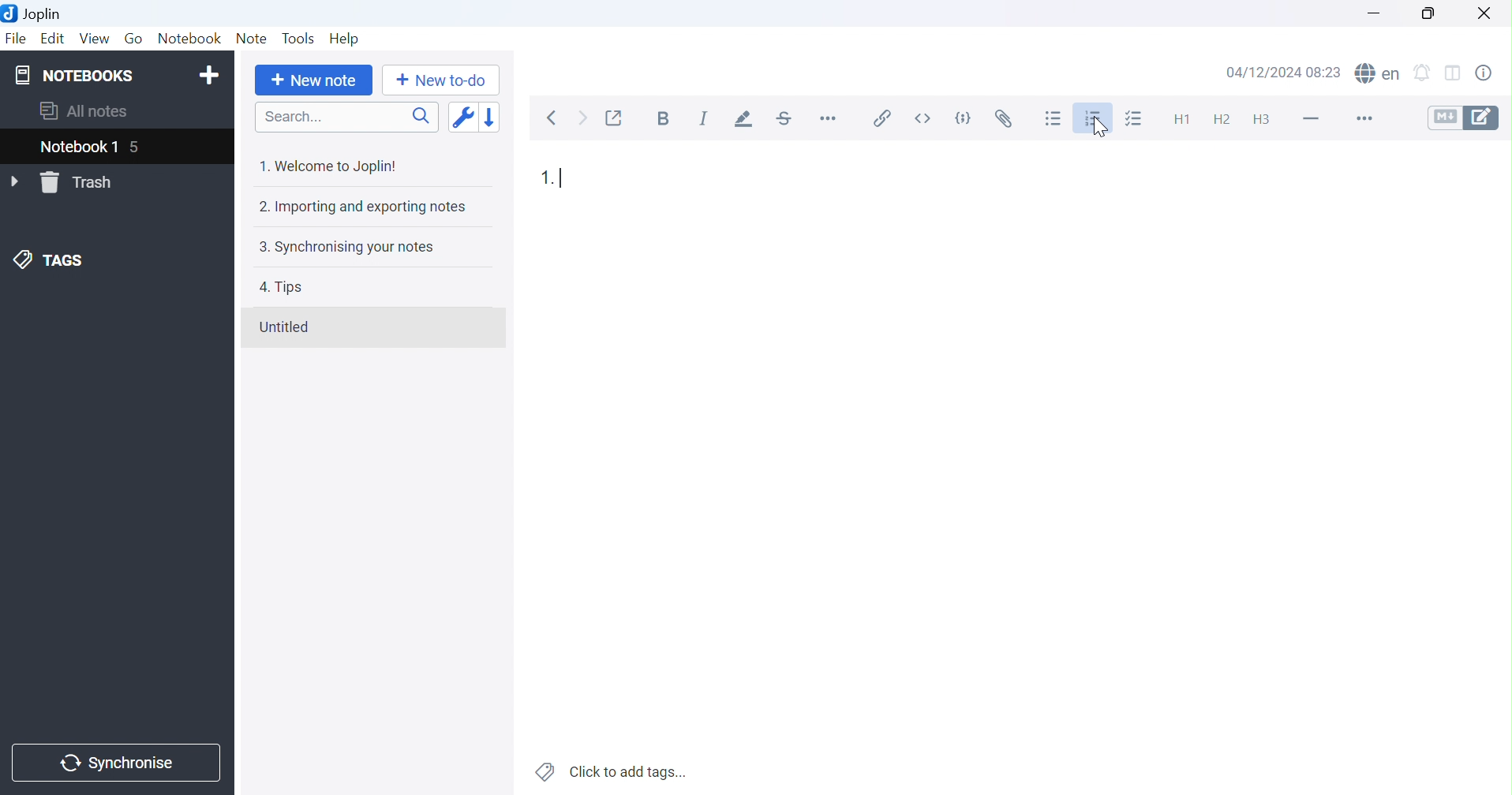 This screenshot has height=795, width=1512. I want to click on Minimize, so click(1375, 13).